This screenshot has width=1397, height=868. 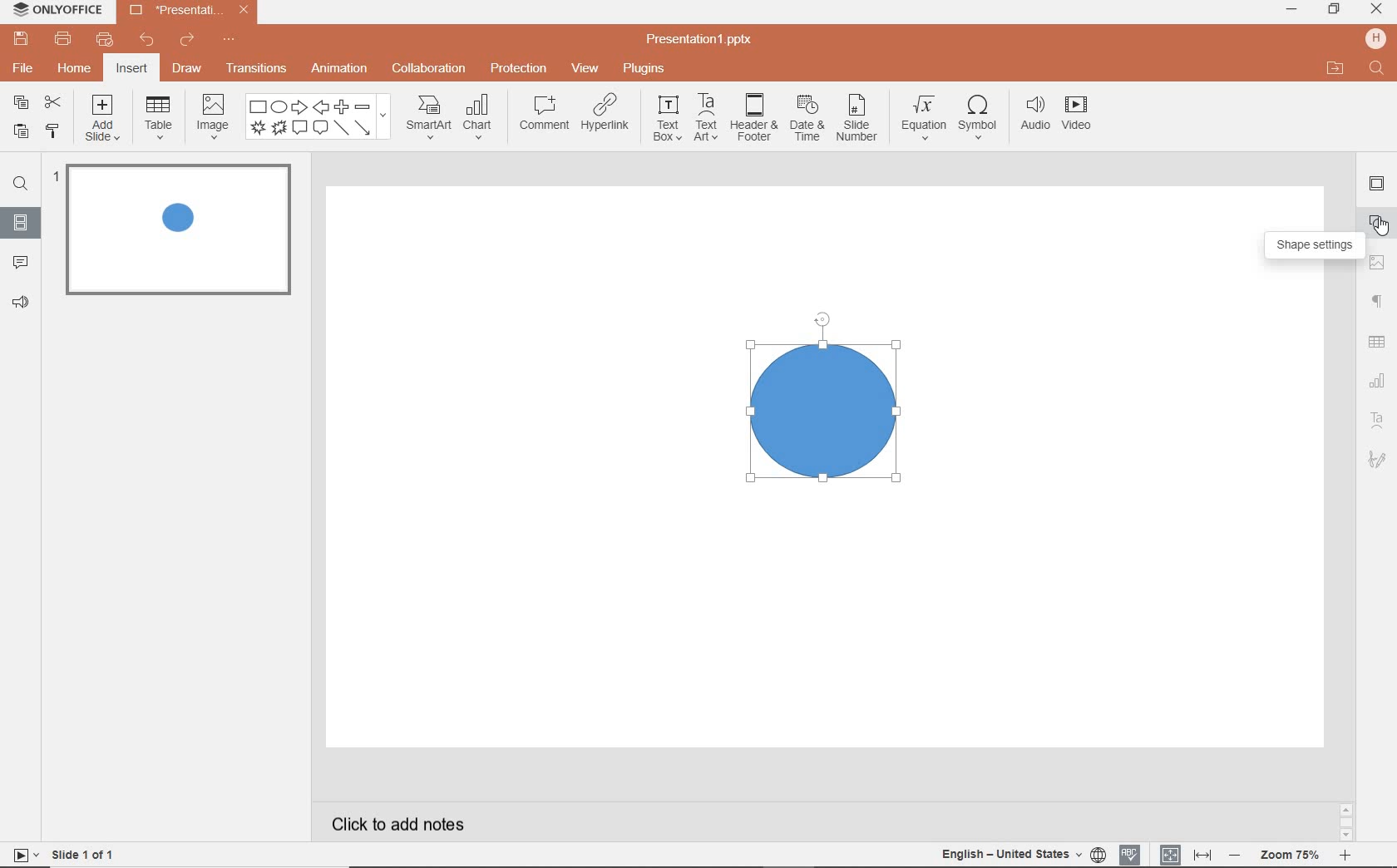 What do you see at coordinates (1376, 184) in the screenshot?
I see `slide settings` at bounding box center [1376, 184].